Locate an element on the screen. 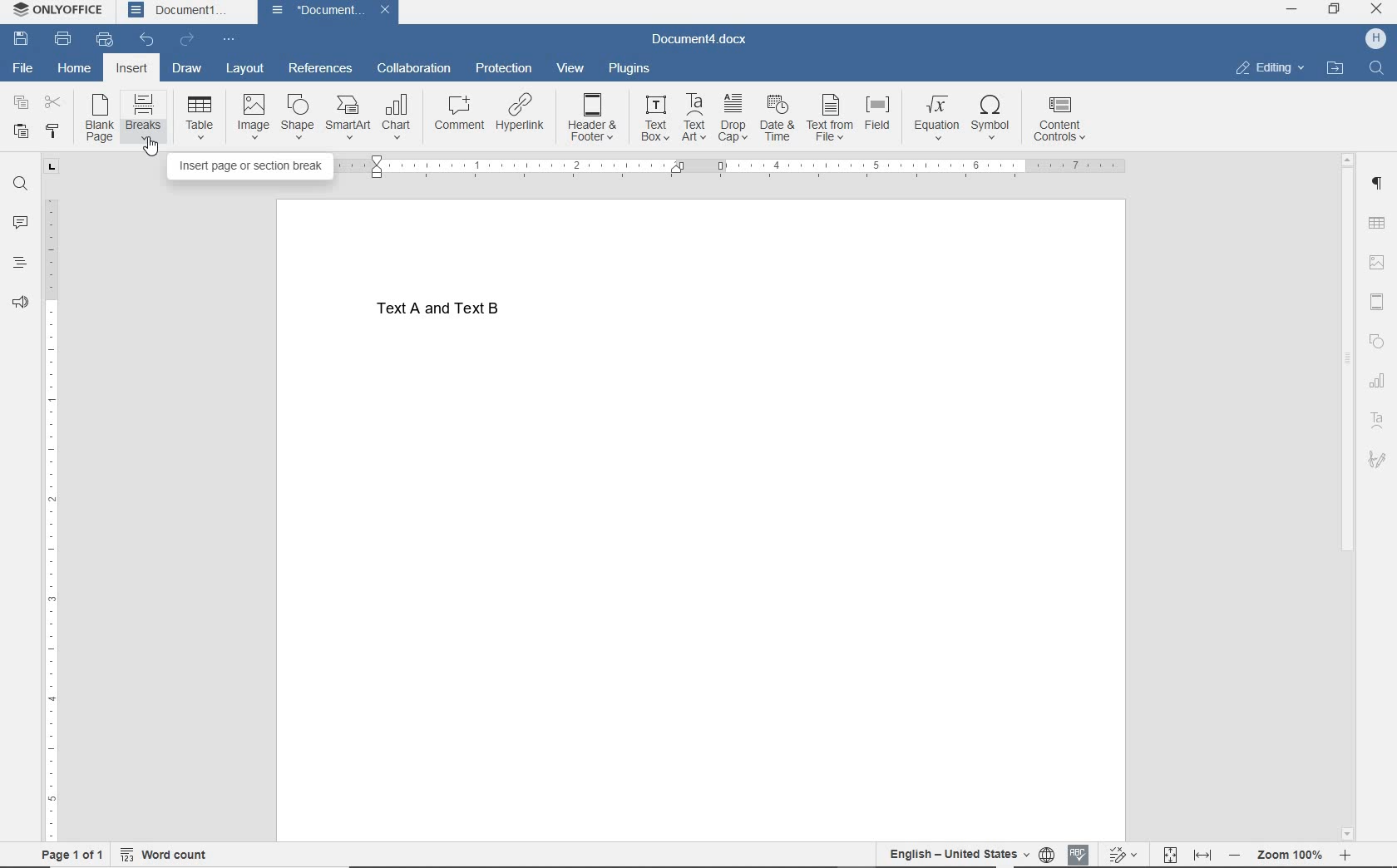 This screenshot has height=868, width=1397. SYSTEM NAME is located at coordinates (61, 11).